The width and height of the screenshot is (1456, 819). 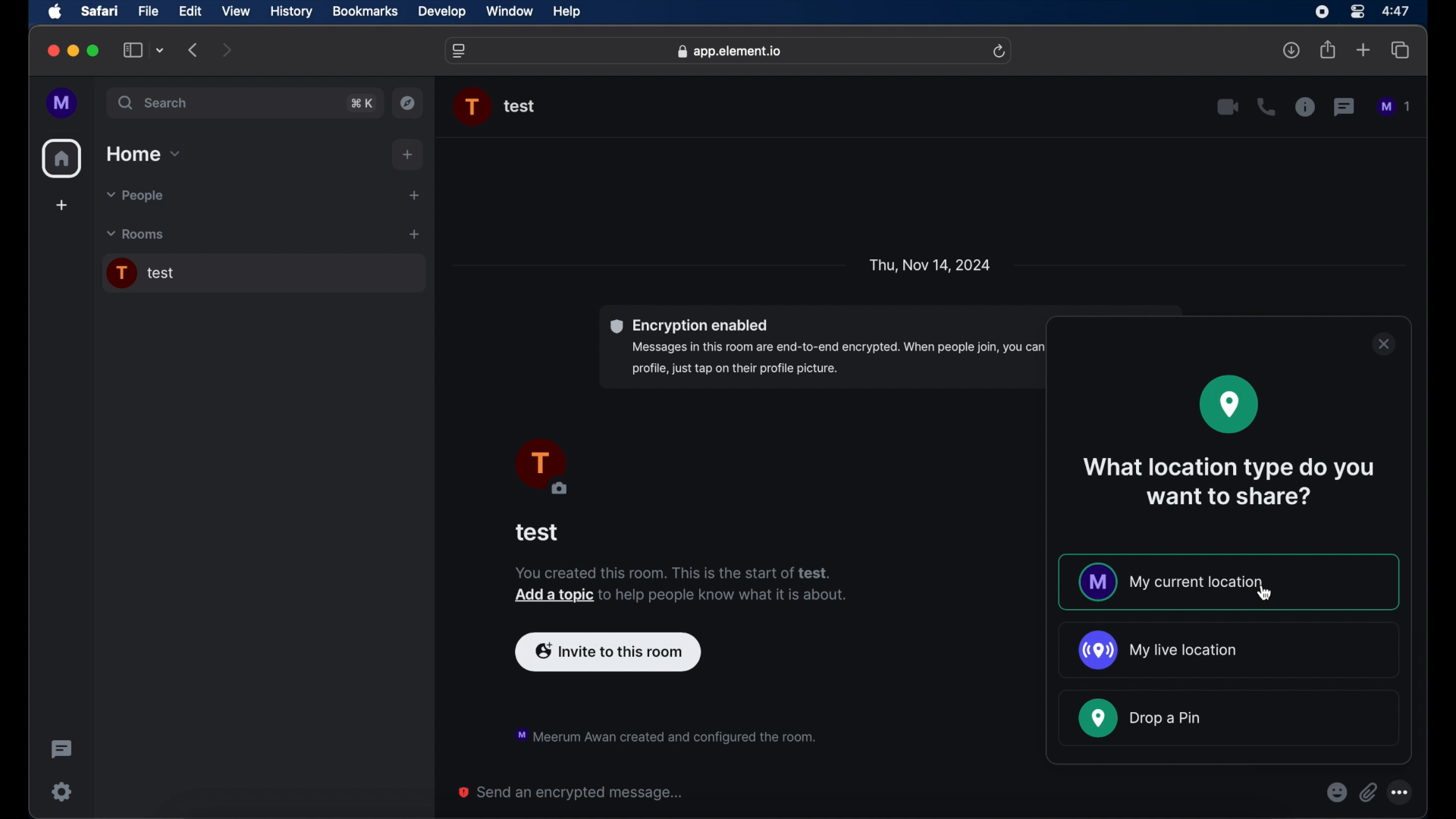 What do you see at coordinates (227, 49) in the screenshot?
I see `next` at bounding box center [227, 49].